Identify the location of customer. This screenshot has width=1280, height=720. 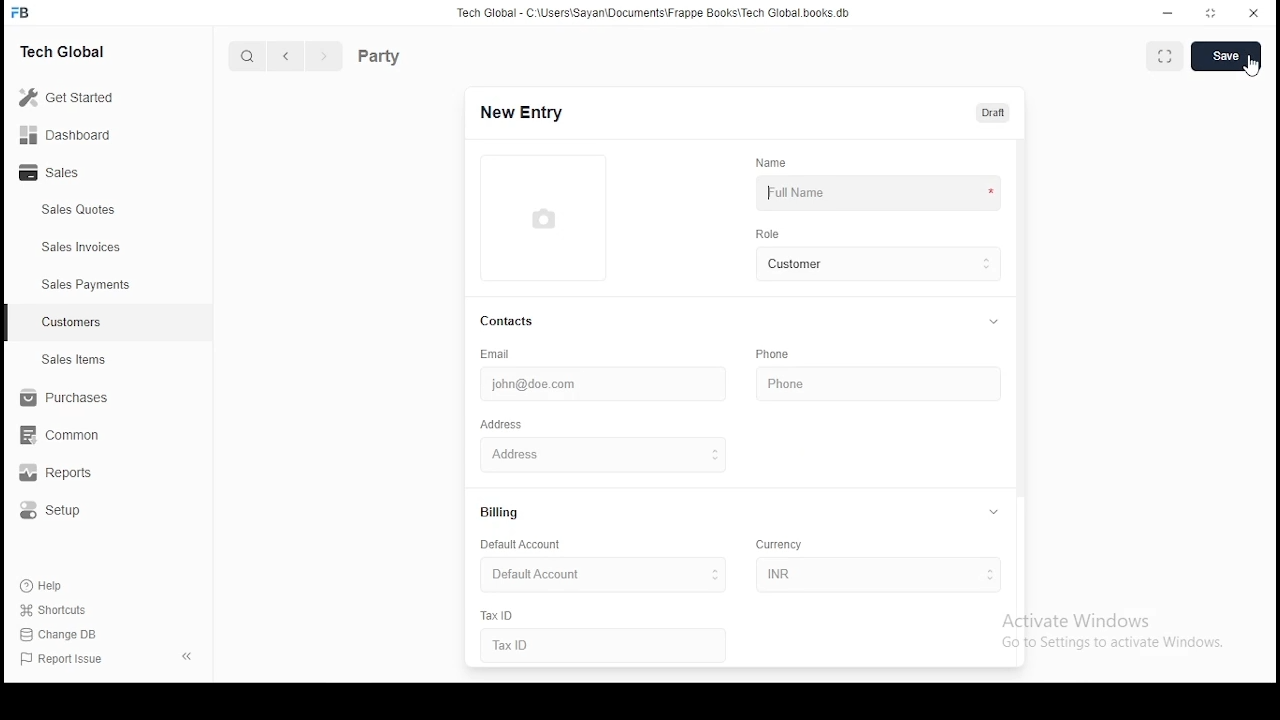
(874, 263).